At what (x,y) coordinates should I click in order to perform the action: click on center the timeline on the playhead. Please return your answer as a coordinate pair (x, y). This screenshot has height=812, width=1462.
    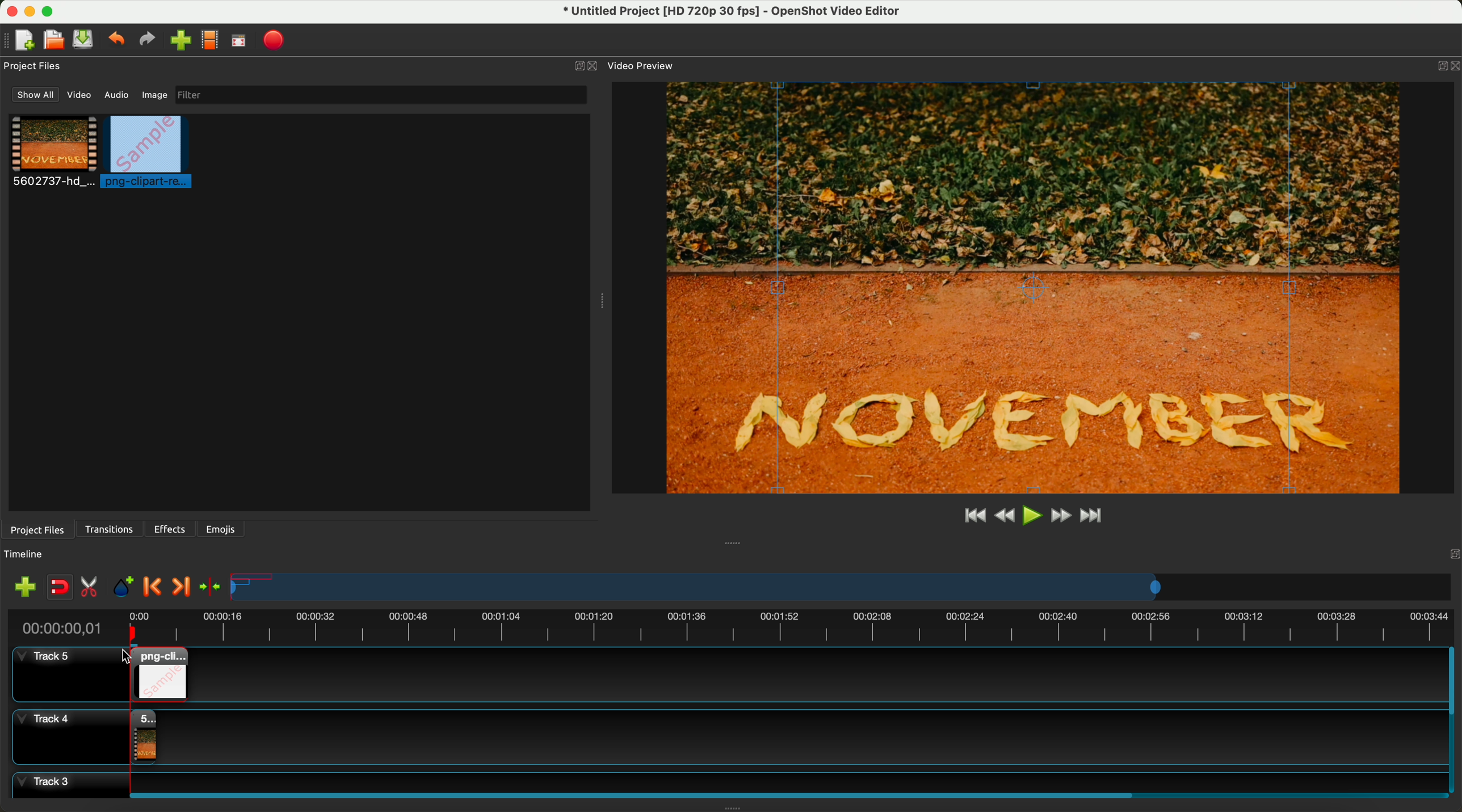
    Looking at the image, I should click on (209, 586).